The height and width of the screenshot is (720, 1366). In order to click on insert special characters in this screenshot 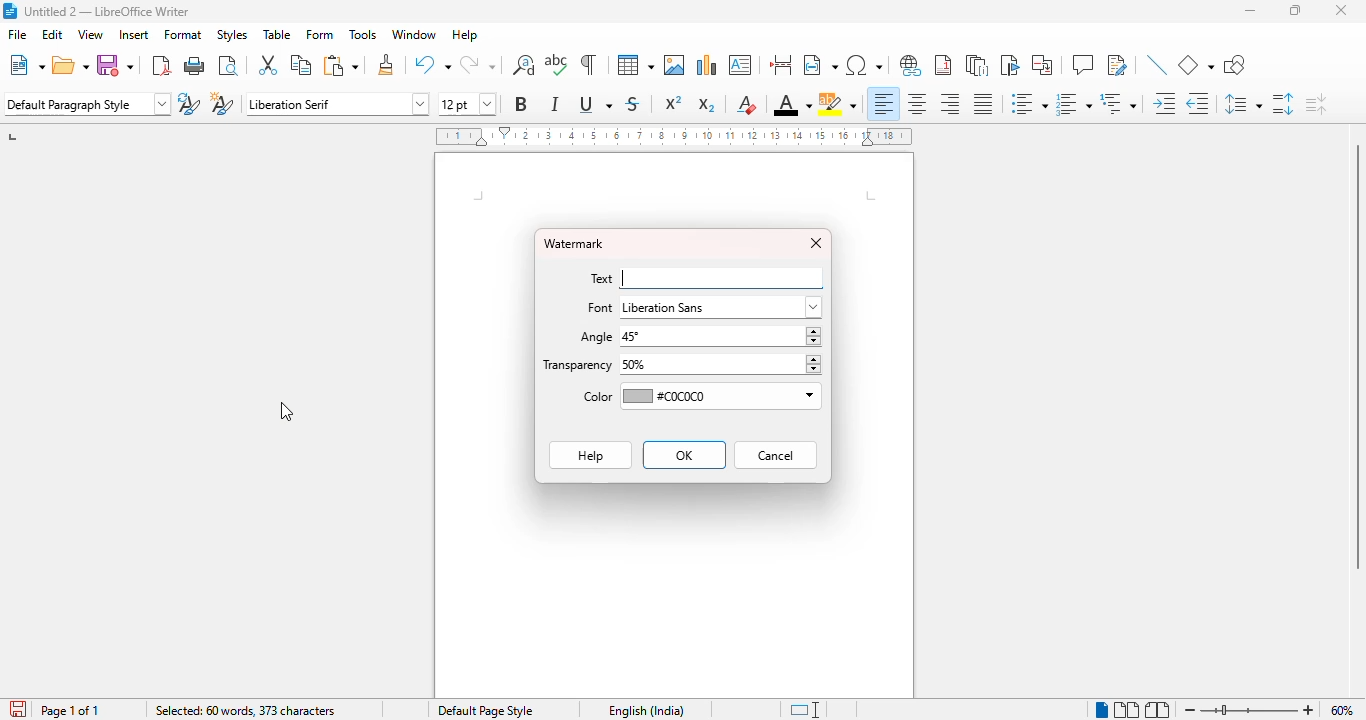, I will do `click(863, 65)`.